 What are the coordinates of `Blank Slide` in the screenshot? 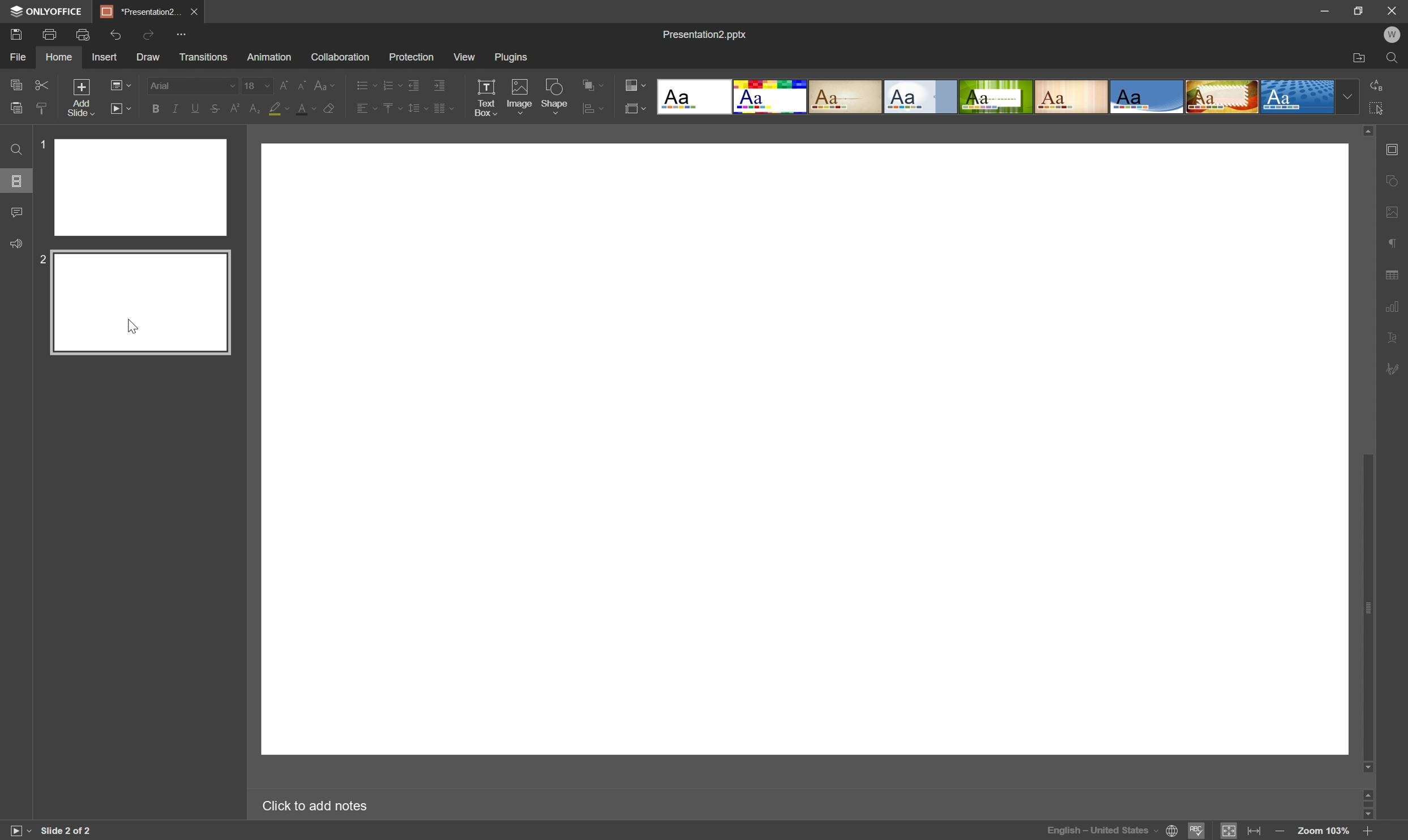 It's located at (803, 448).